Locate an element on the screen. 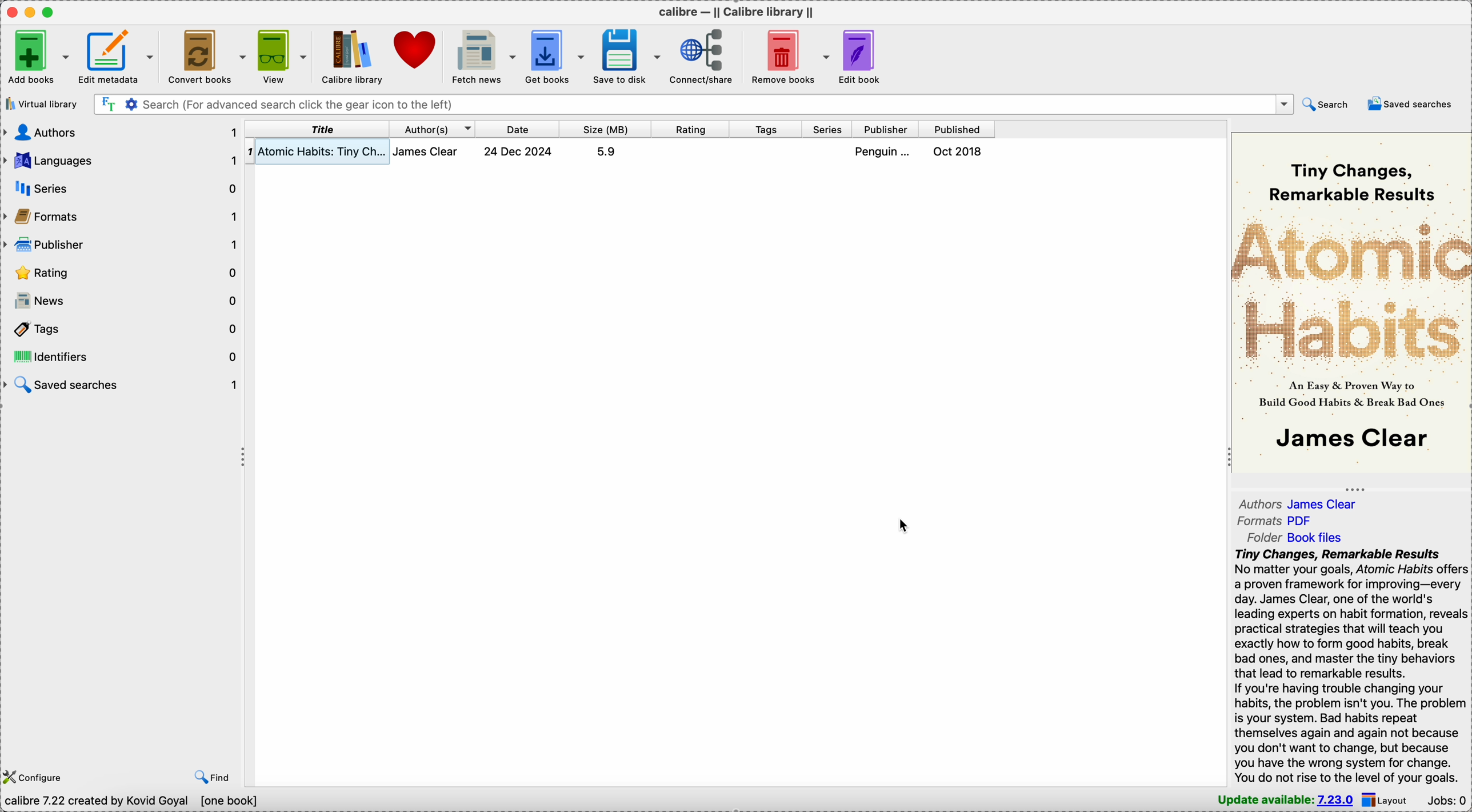 The image size is (1472, 812). saved searches is located at coordinates (123, 383).